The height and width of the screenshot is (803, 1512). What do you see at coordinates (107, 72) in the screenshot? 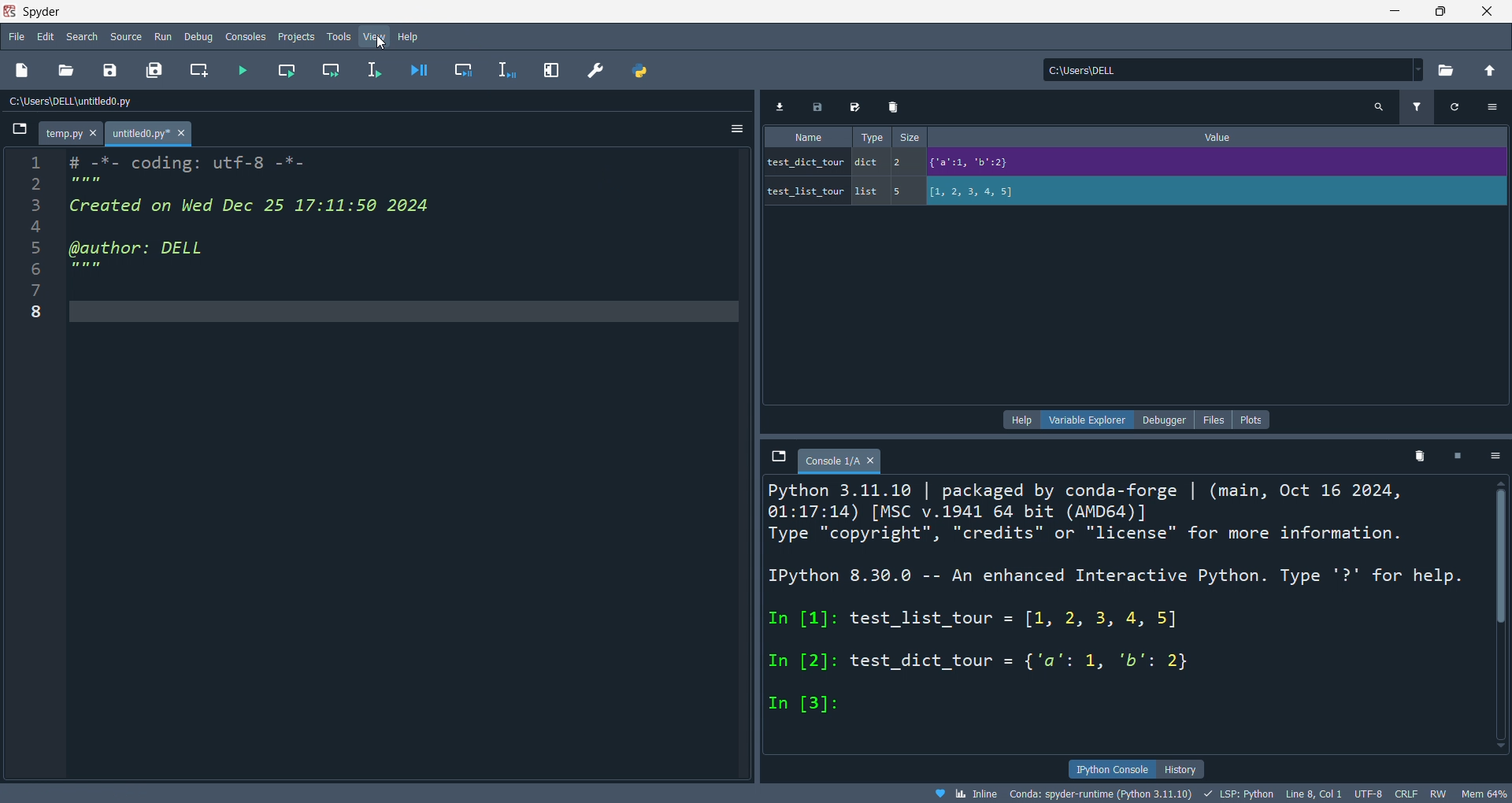
I see `save` at bounding box center [107, 72].